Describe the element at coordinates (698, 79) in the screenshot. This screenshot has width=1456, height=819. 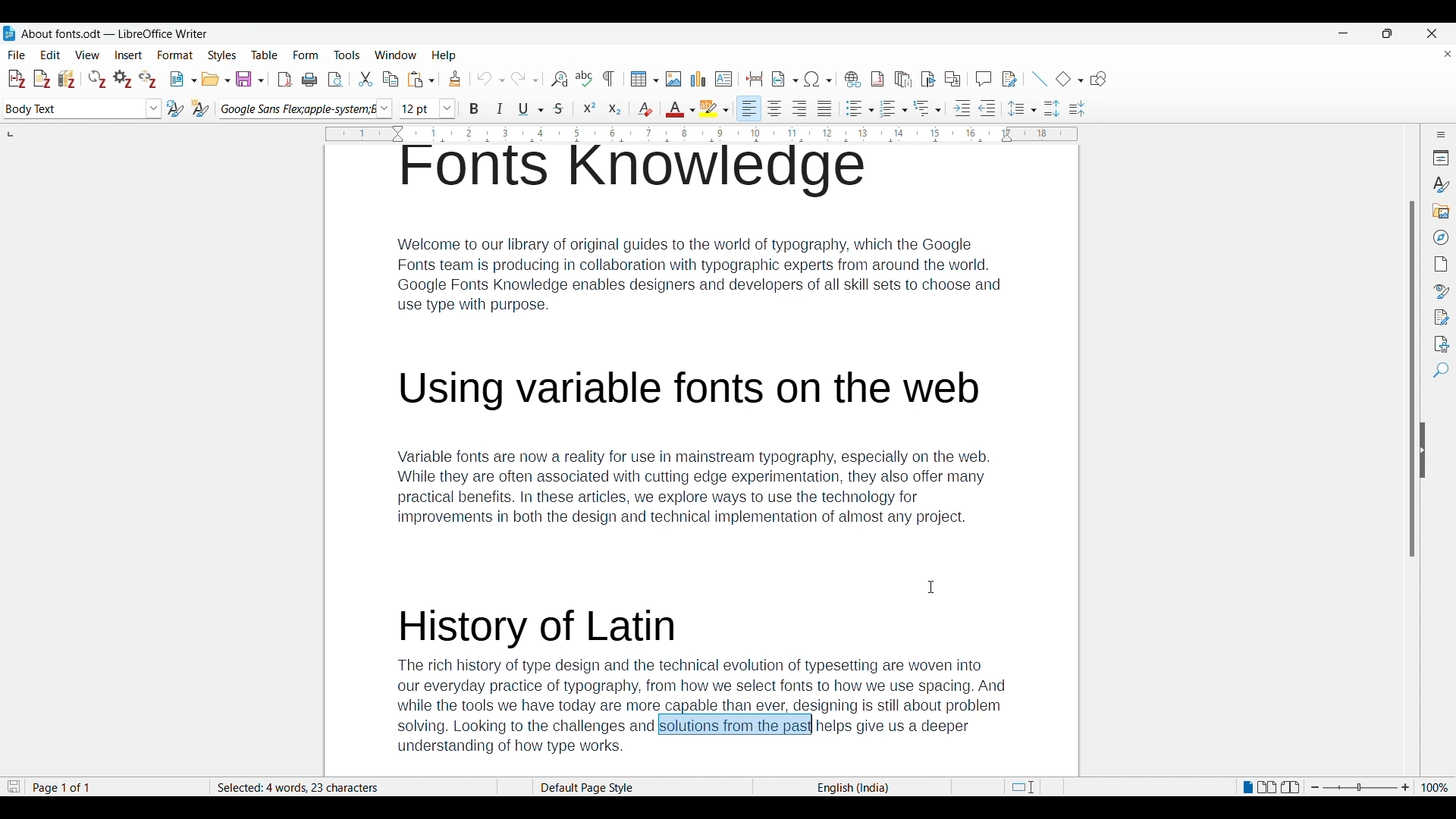
I see `Insert graph` at that location.